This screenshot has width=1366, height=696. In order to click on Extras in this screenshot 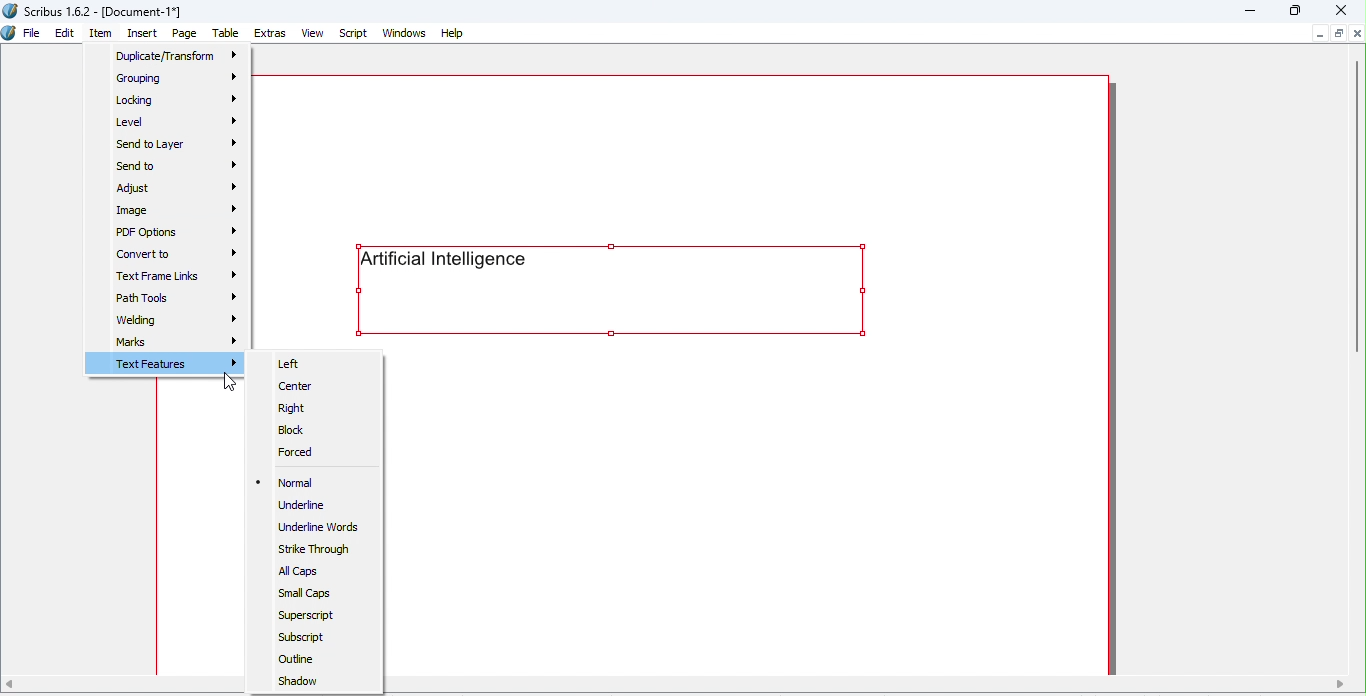, I will do `click(272, 34)`.